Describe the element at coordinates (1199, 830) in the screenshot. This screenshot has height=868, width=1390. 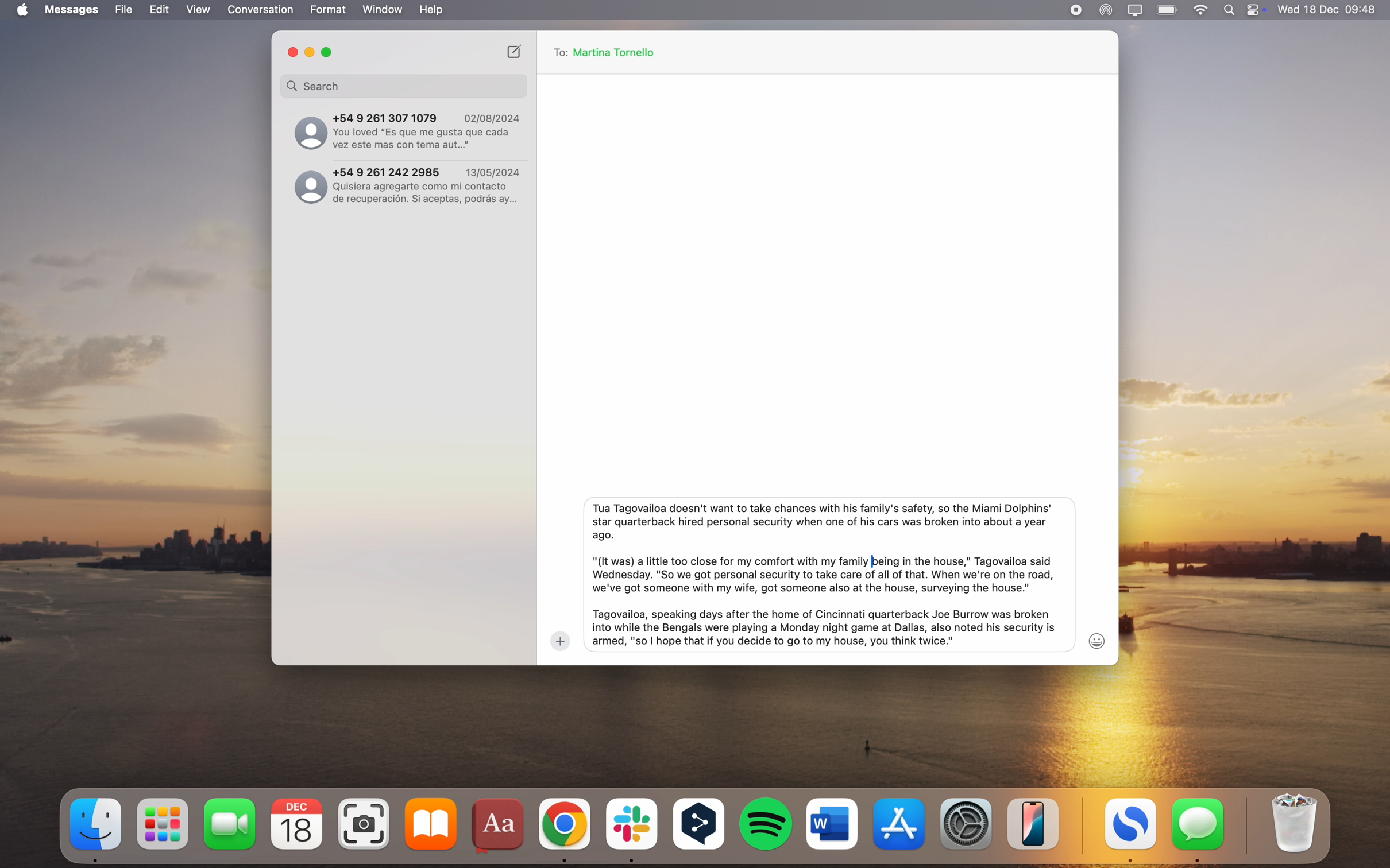
I see `messages` at that location.